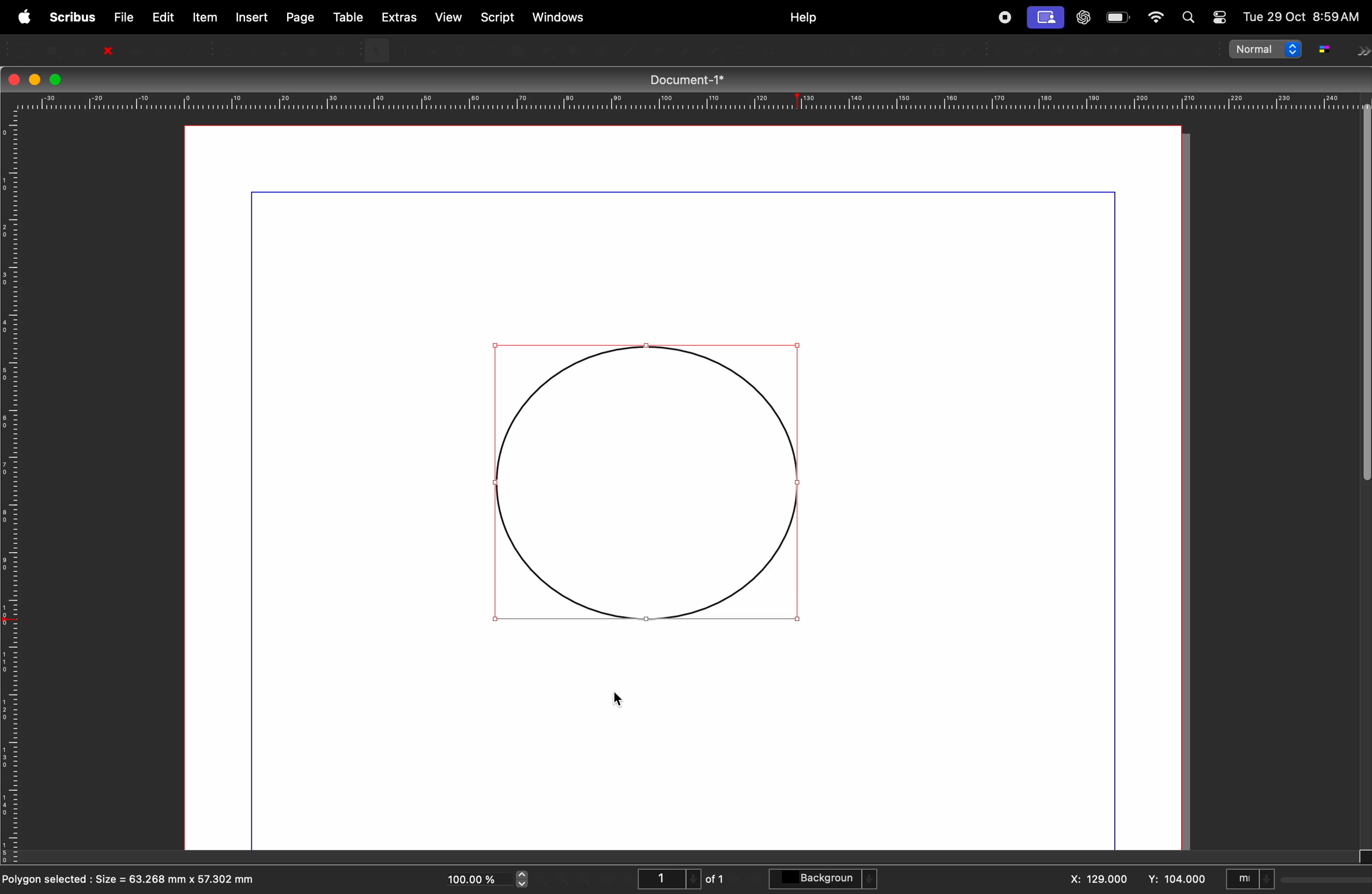  I want to click on shape, so click(517, 50).